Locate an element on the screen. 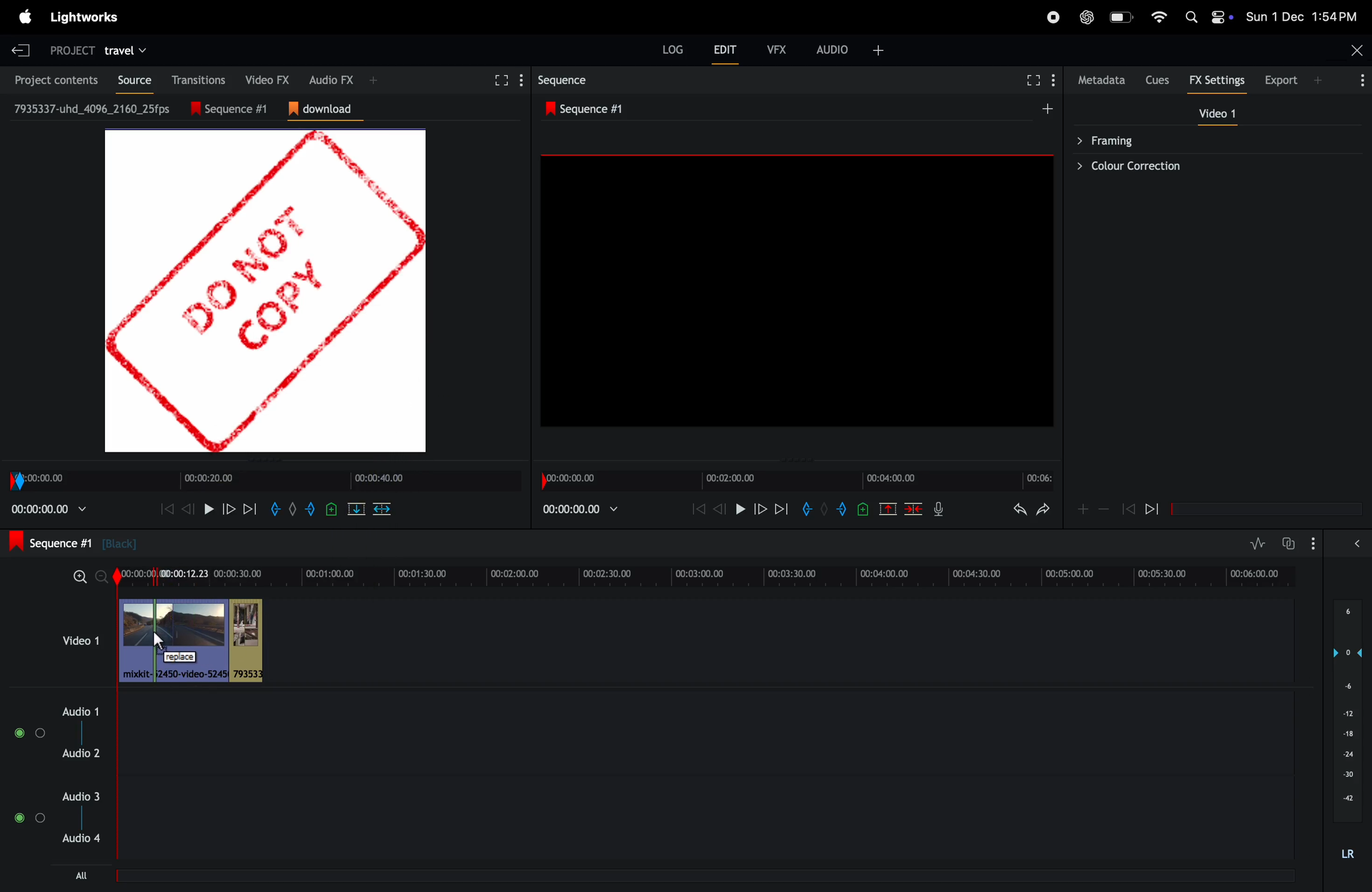 The image size is (1372, 892). Zoom in is located at coordinates (80, 577).